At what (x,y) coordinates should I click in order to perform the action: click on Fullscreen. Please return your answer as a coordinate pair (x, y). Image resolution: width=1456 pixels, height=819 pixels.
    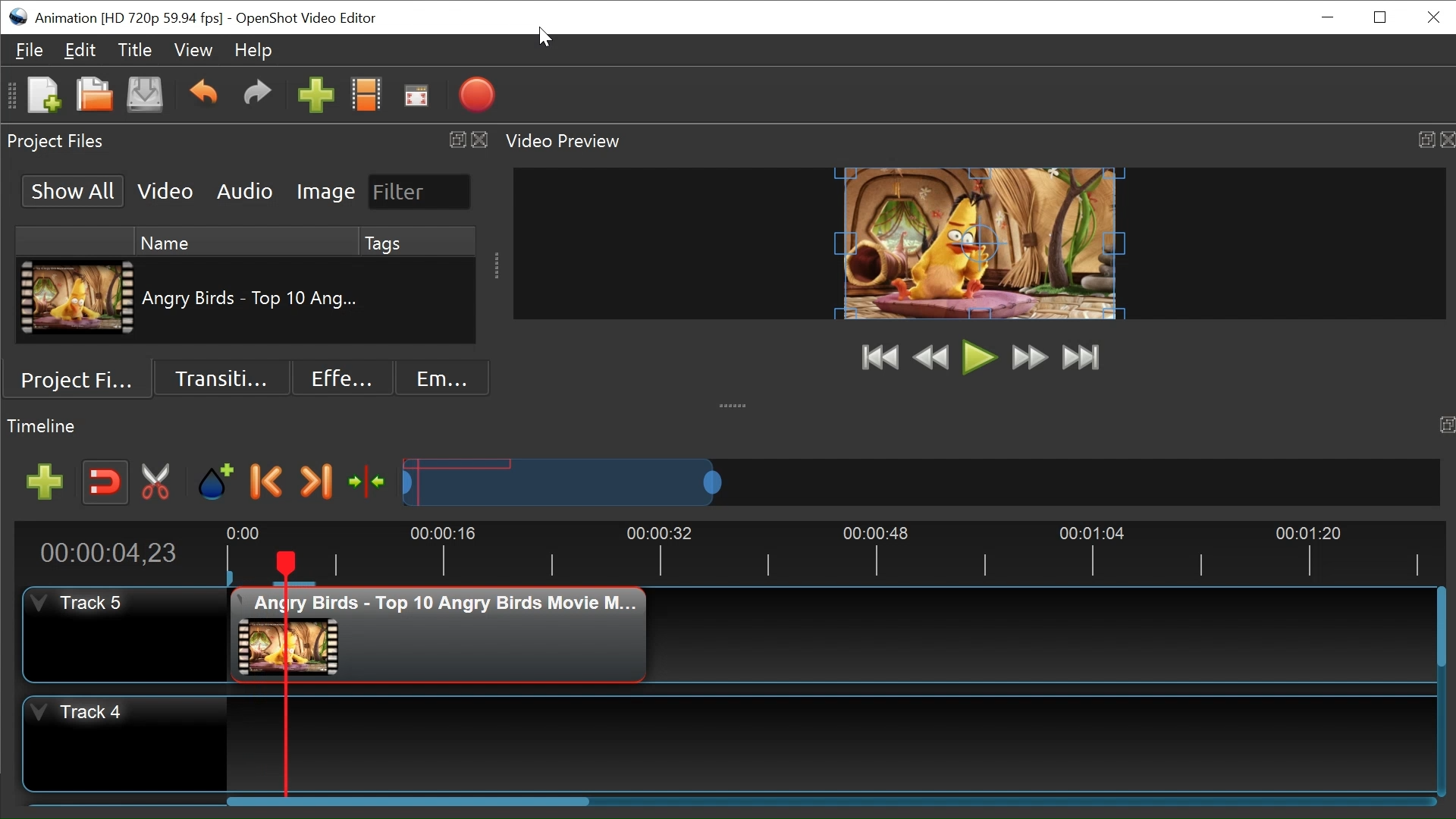
    Looking at the image, I should click on (416, 94).